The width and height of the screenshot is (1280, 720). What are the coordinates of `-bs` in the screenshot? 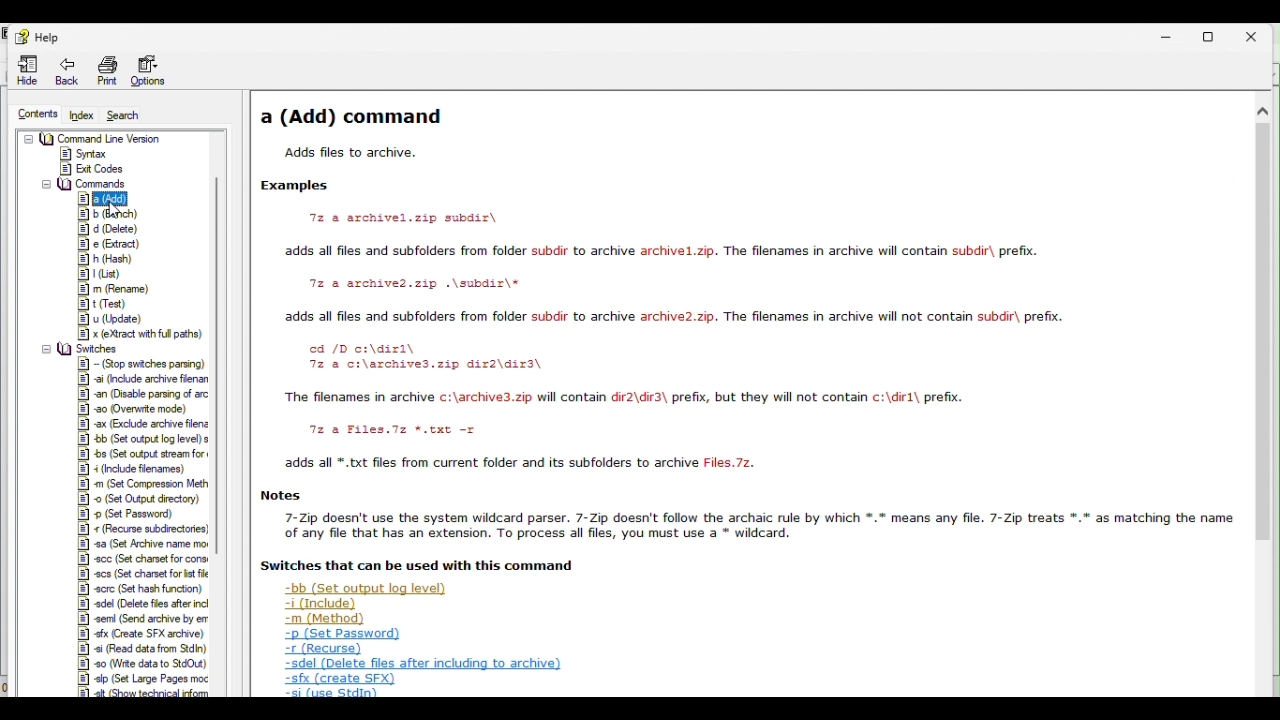 It's located at (143, 453).